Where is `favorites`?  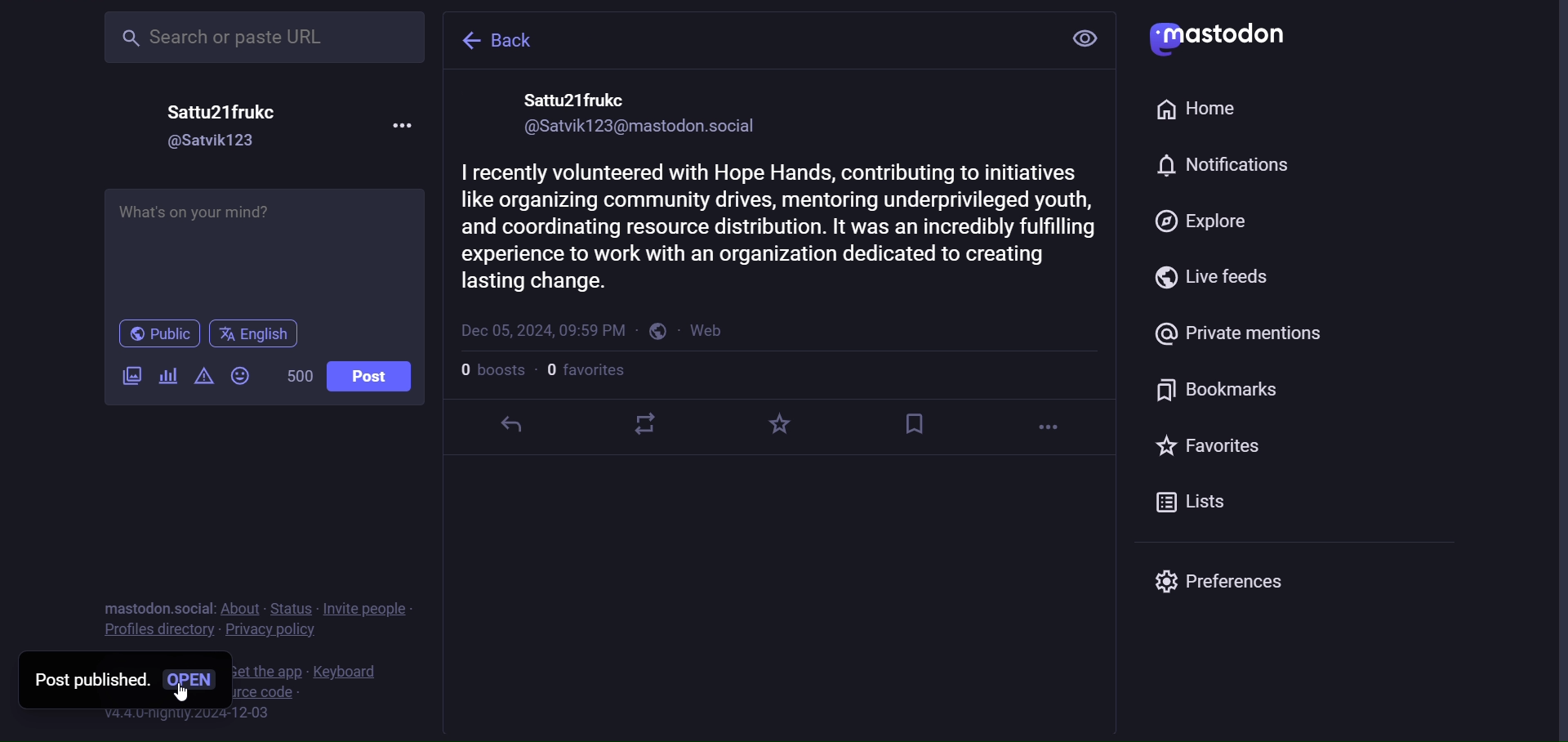 favorites is located at coordinates (1211, 445).